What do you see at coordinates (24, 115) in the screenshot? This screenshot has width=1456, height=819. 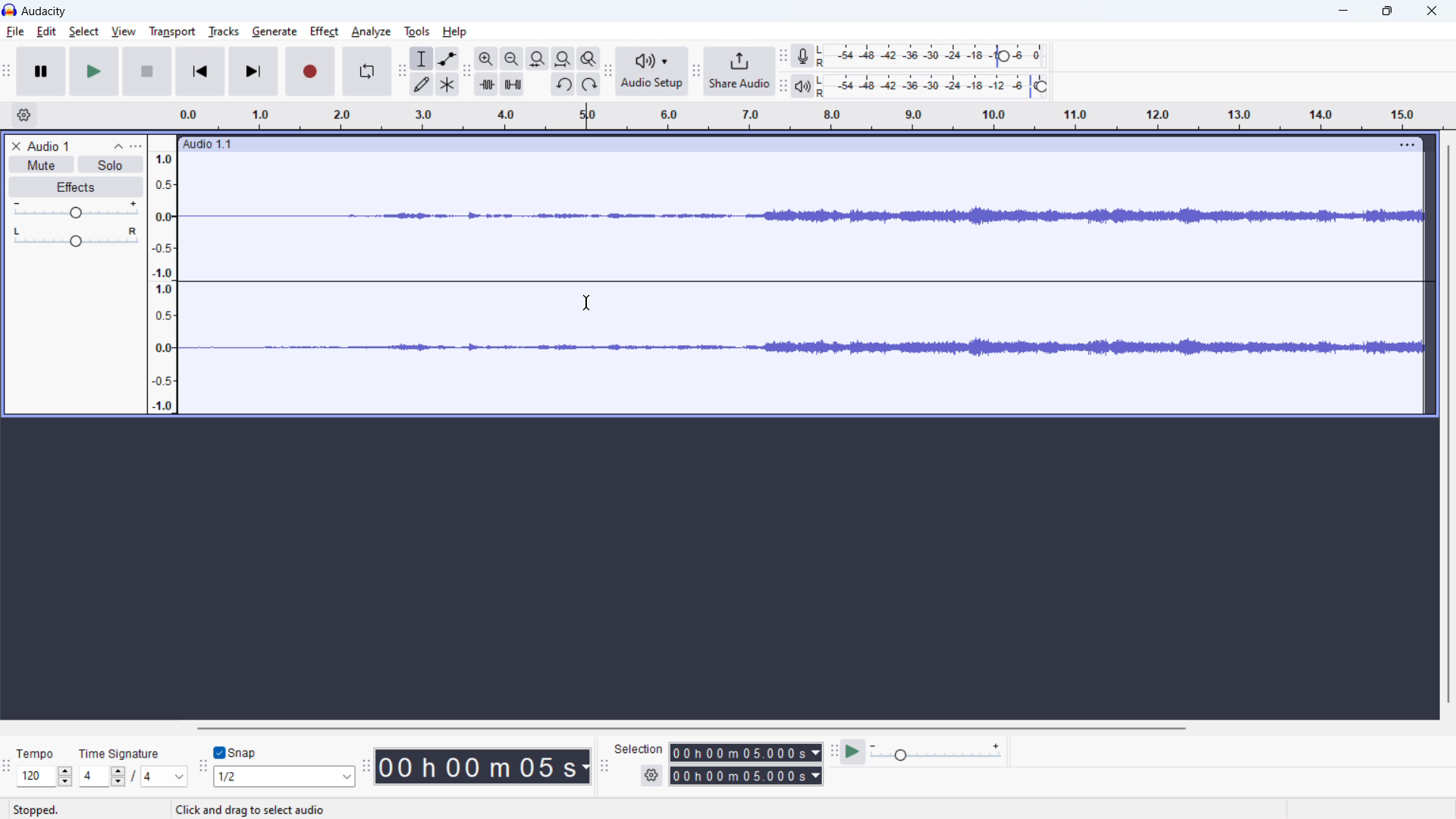 I see `timeline settings` at bounding box center [24, 115].